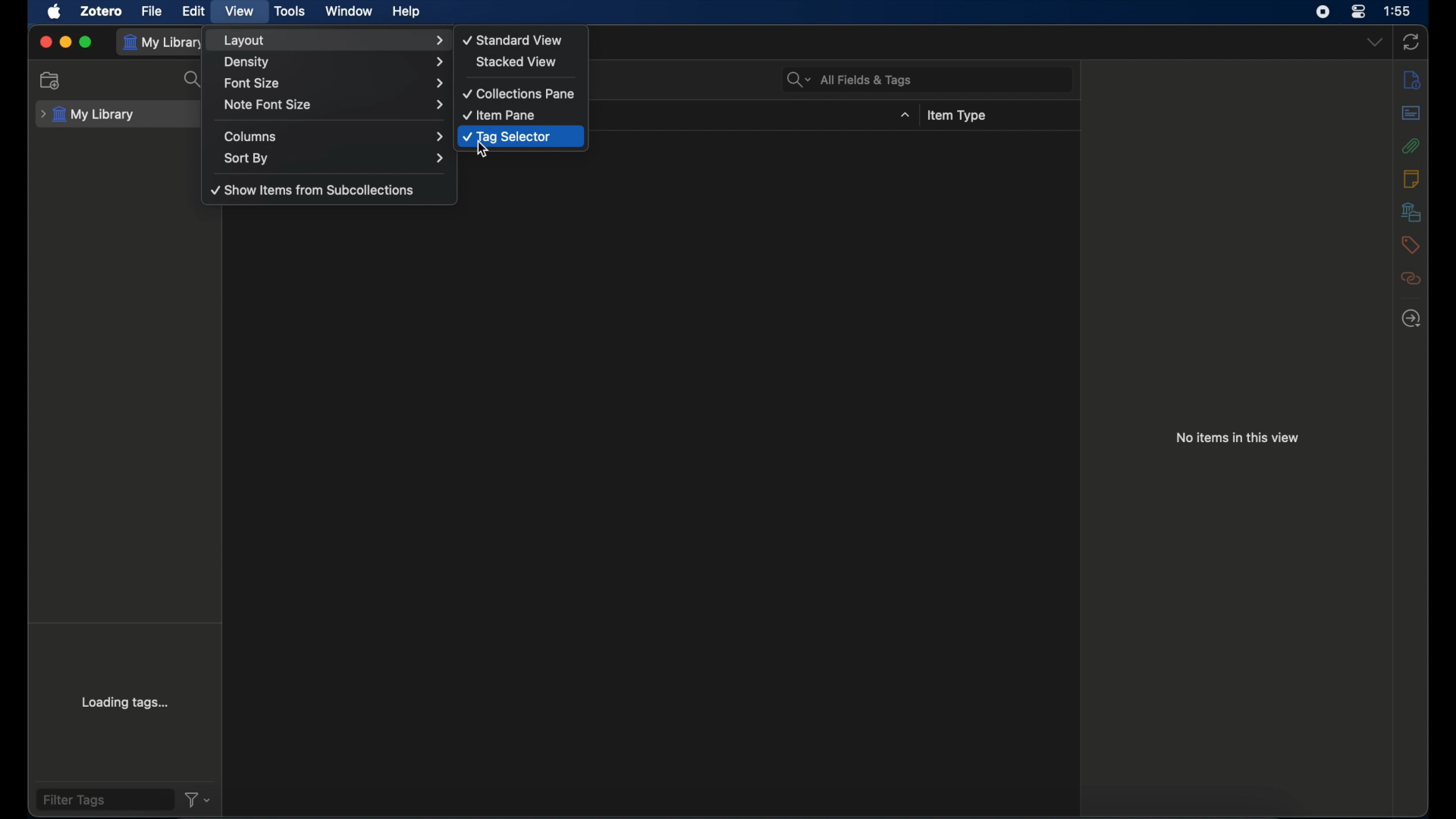 The height and width of the screenshot is (819, 1456). What do you see at coordinates (1409, 245) in the screenshot?
I see `tags` at bounding box center [1409, 245].